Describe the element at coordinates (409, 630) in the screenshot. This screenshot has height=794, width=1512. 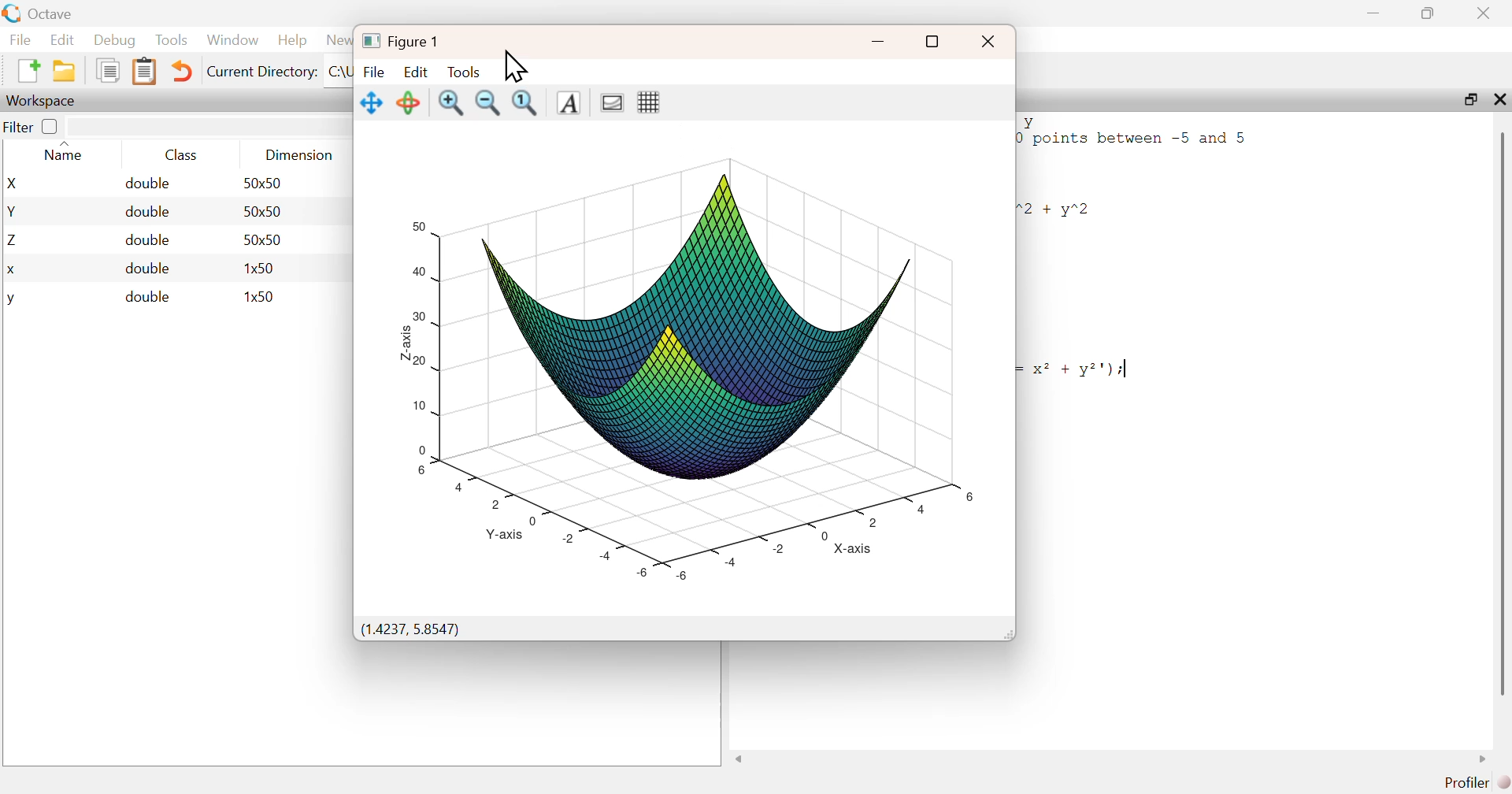
I see `(1.4237, 5.8547)` at that location.